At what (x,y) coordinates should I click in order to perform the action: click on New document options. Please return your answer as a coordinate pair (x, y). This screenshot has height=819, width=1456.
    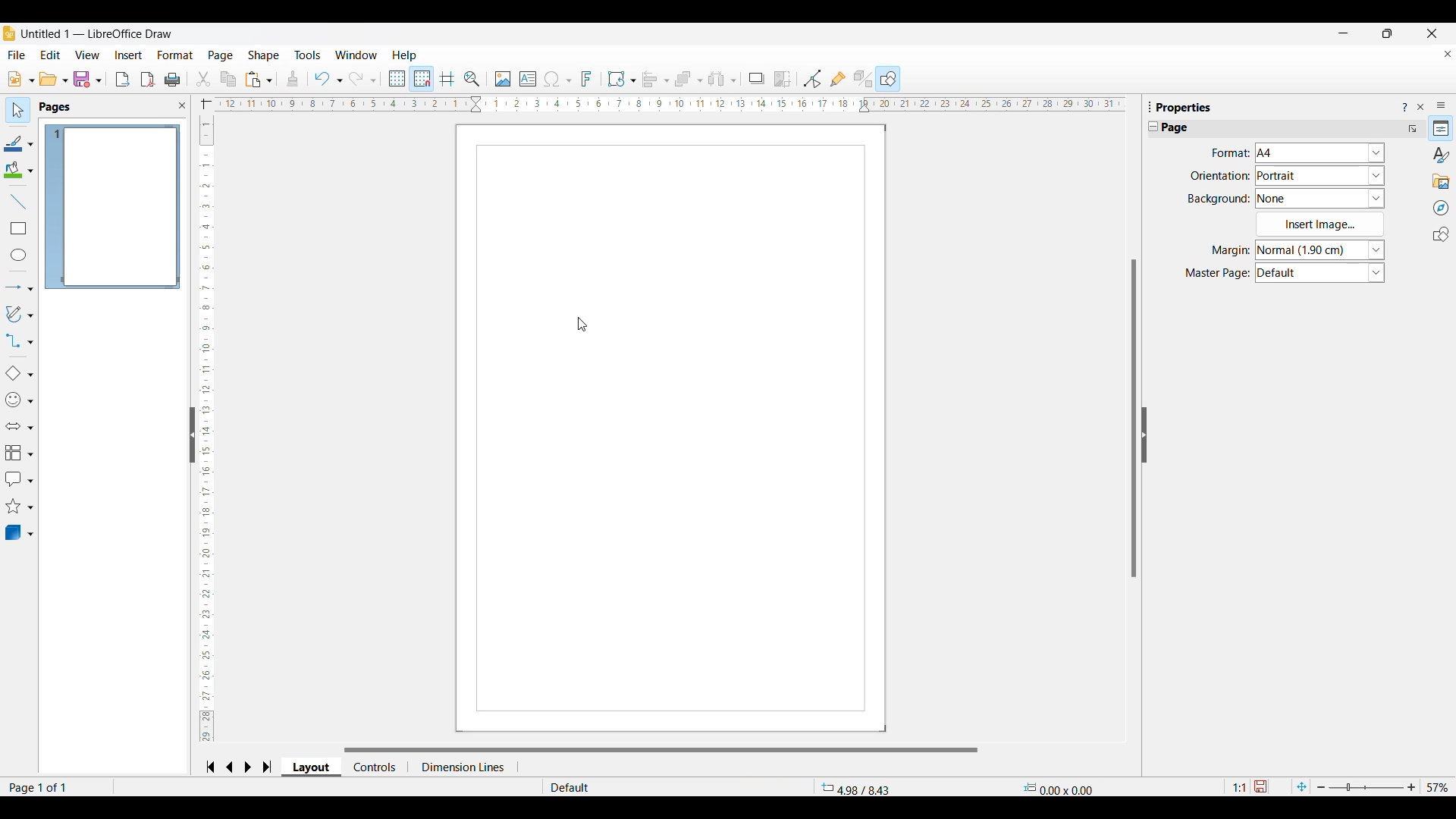
    Looking at the image, I should click on (21, 79).